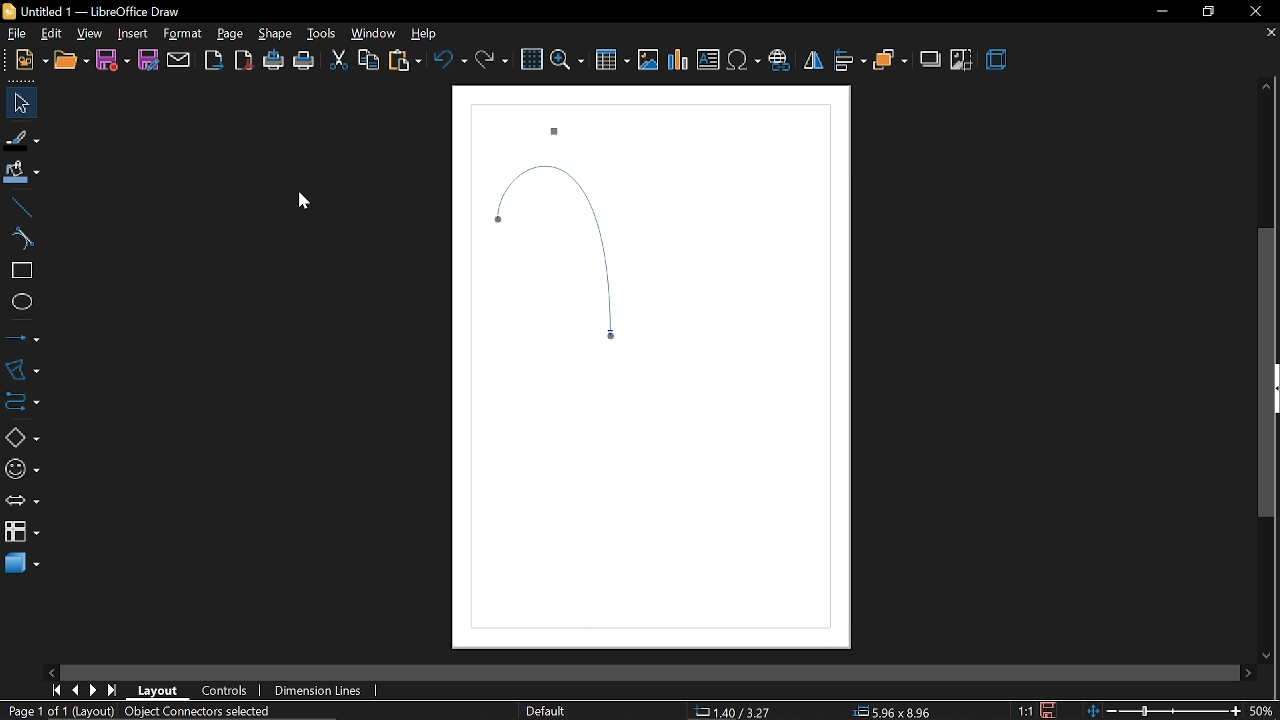 The image size is (1280, 720). What do you see at coordinates (890, 60) in the screenshot?
I see `arrange` at bounding box center [890, 60].